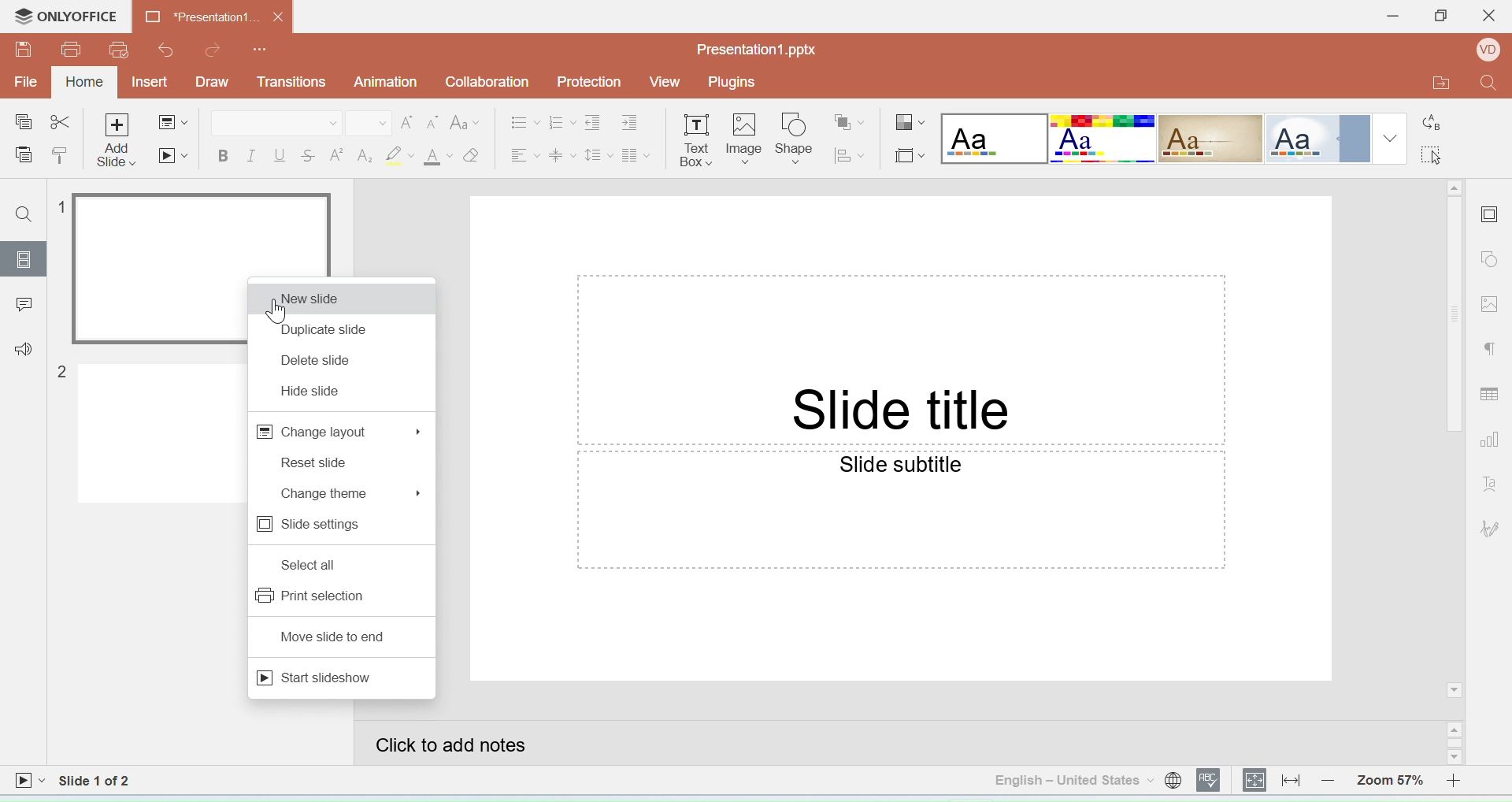 The image size is (1512, 802). Describe the element at coordinates (596, 121) in the screenshot. I see `Decrease indent` at that location.